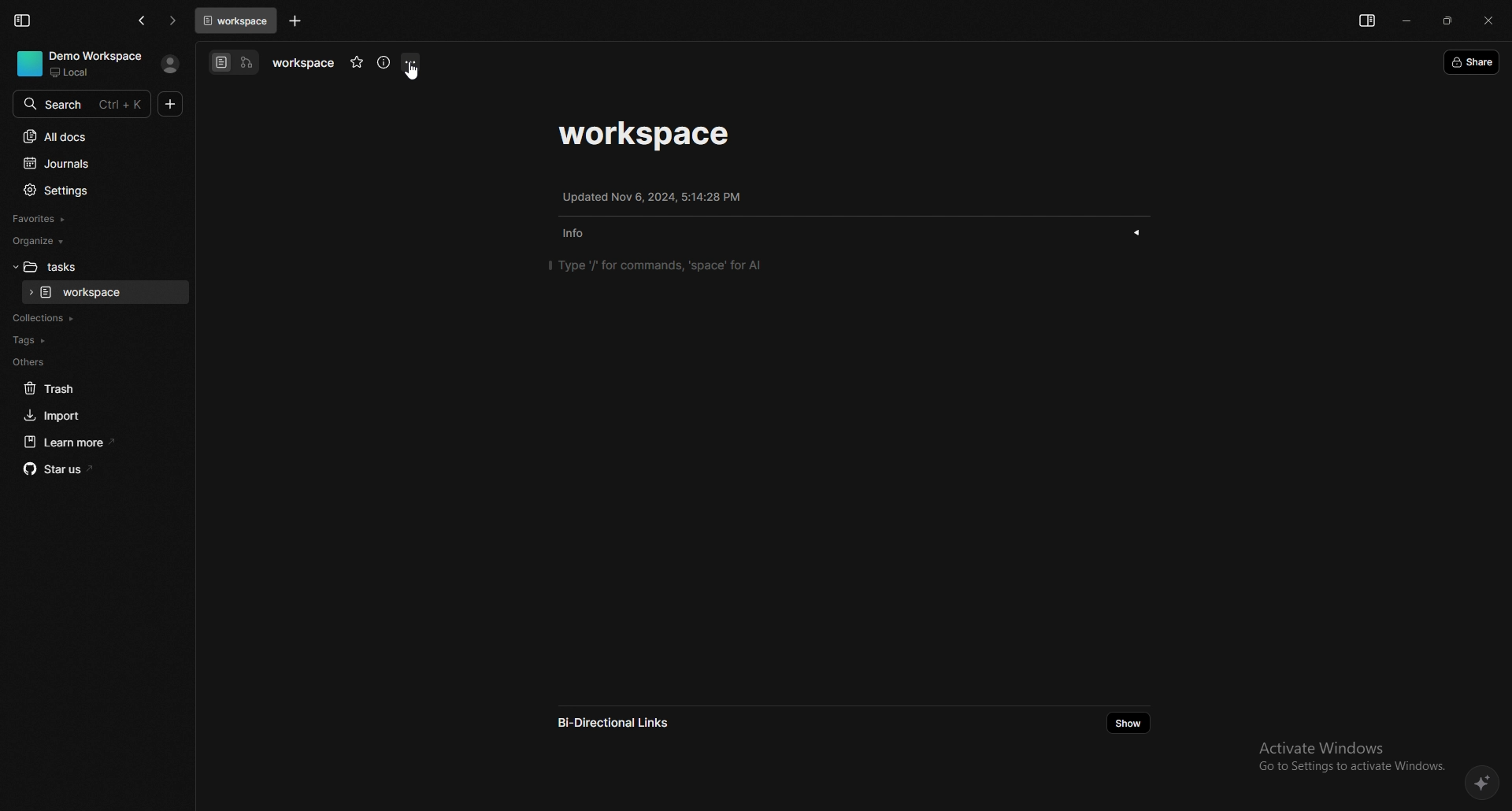 This screenshot has width=1512, height=811. What do you see at coordinates (1406, 20) in the screenshot?
I see `minimize` at bounding box center [1406, 20].